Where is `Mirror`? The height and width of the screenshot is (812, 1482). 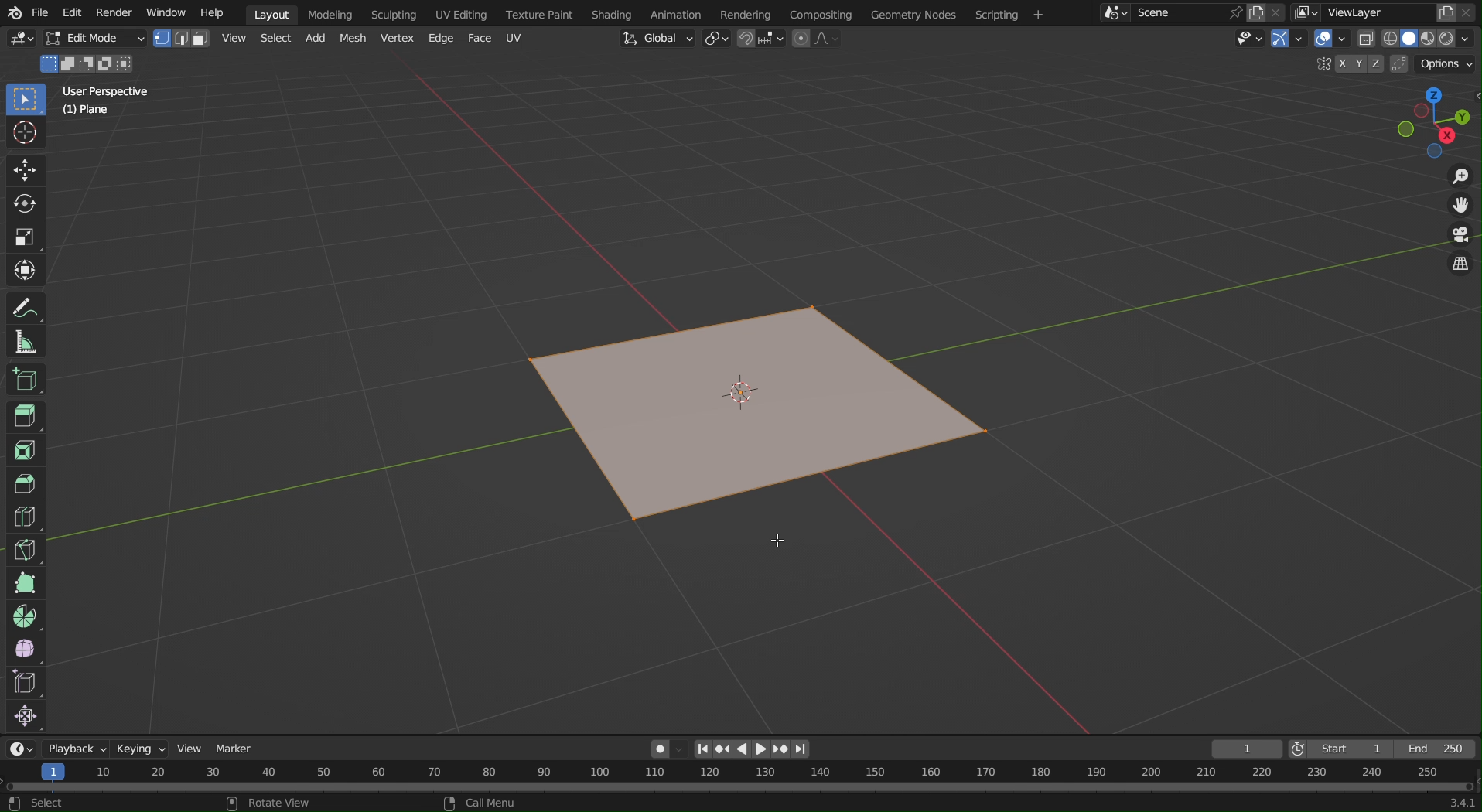
Mirror is located at coordinates (1320, 65).